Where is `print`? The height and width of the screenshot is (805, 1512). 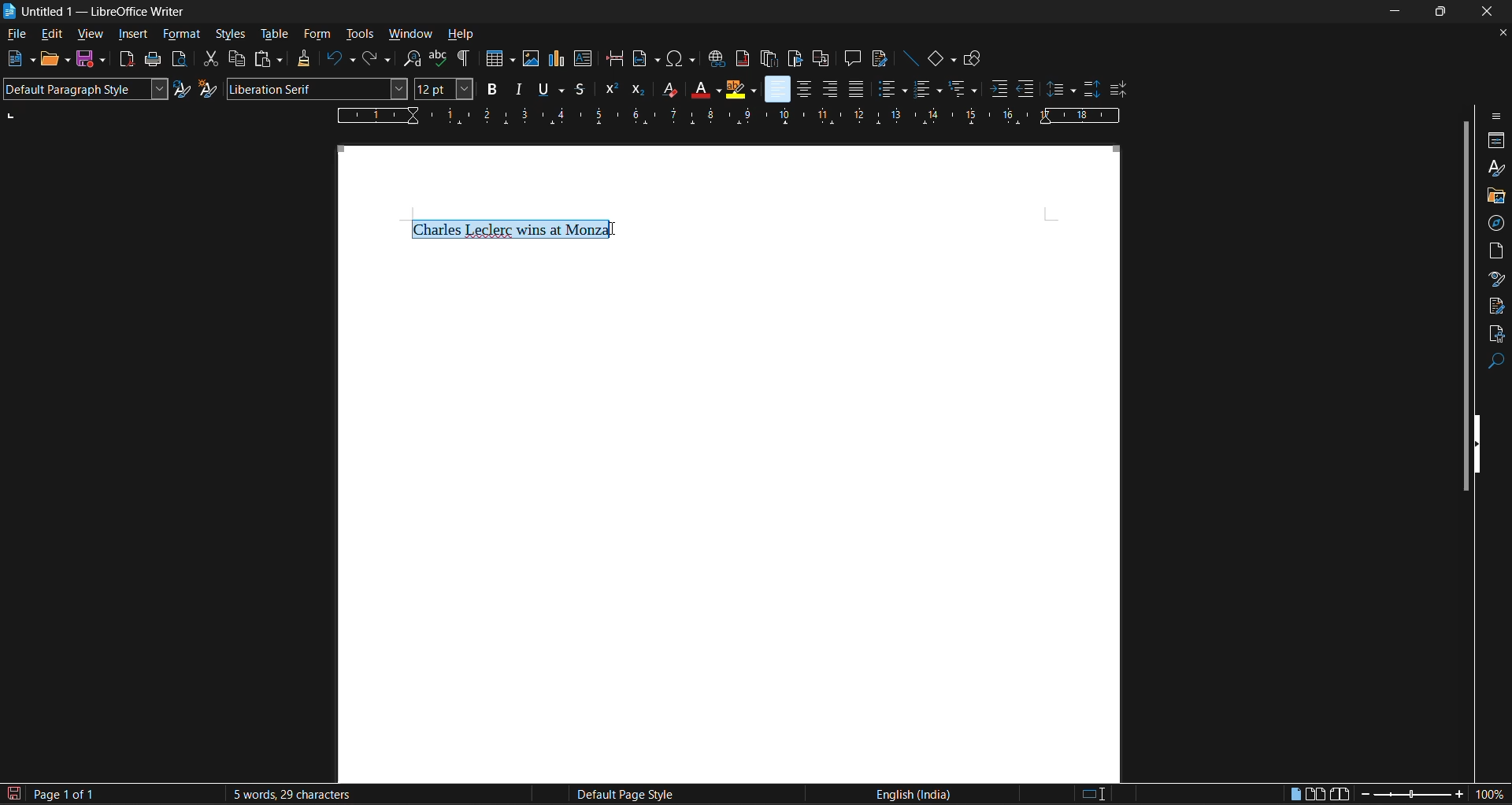
print is located at coordinates (151, 58).